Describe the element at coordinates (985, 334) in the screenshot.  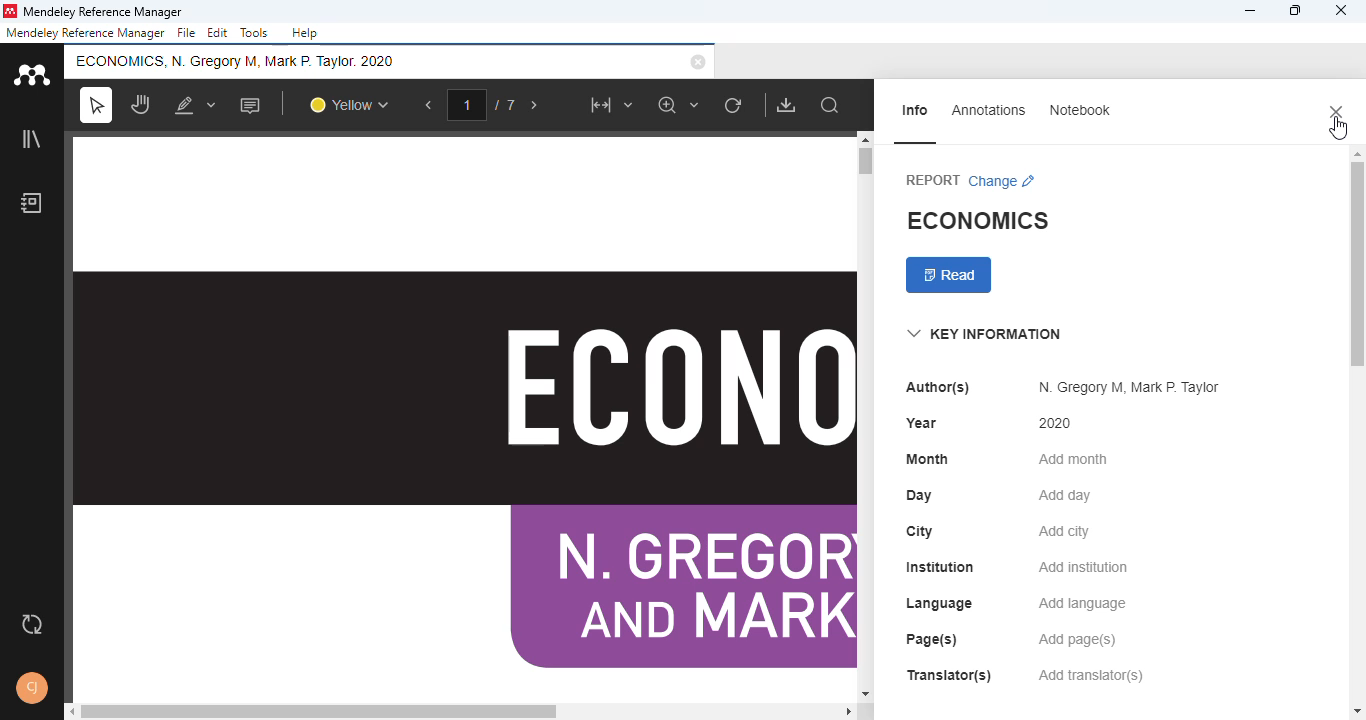
I see `key information` at that location.